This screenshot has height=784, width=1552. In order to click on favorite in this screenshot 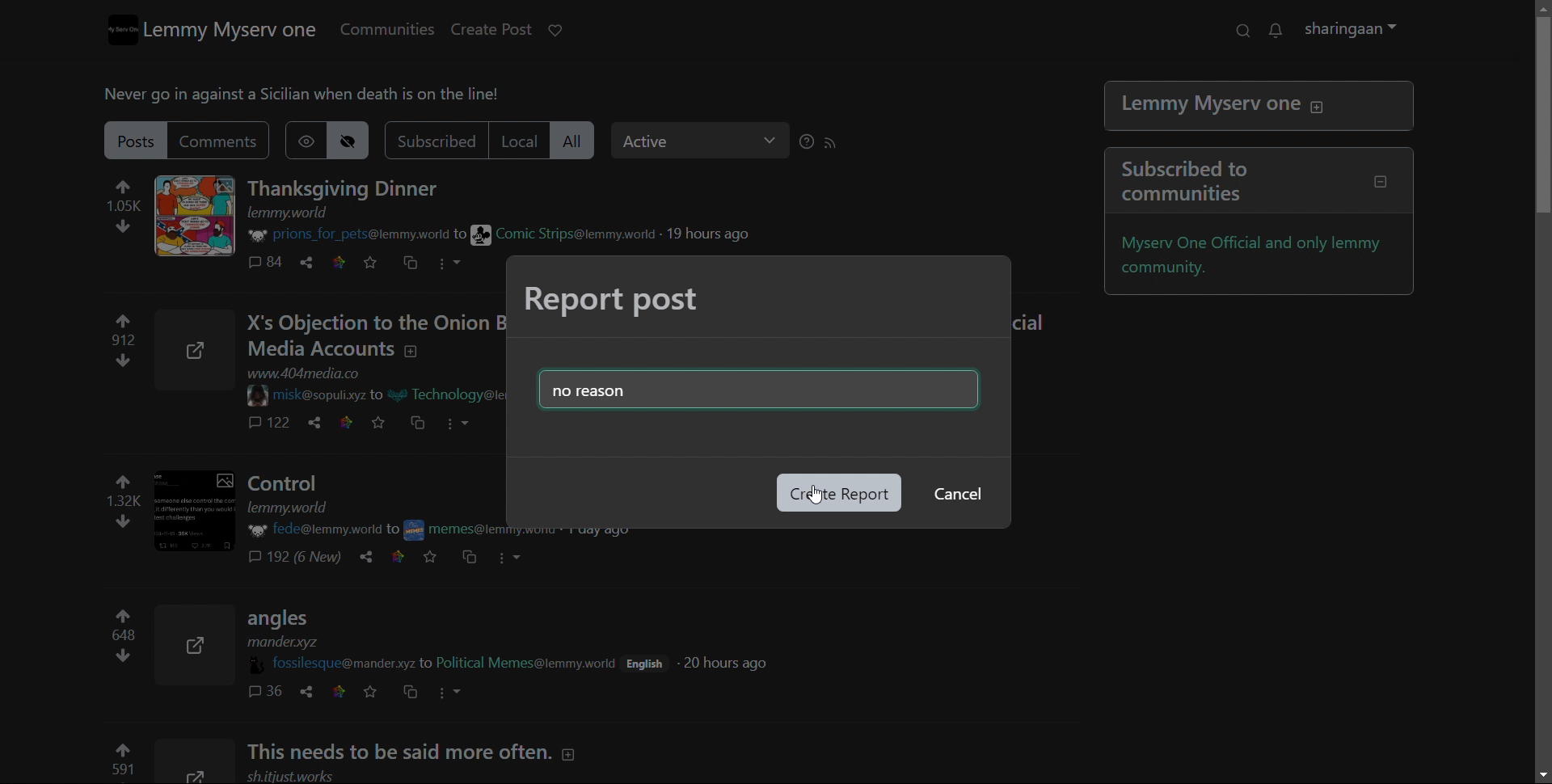, I will do `click(386, 423)`.